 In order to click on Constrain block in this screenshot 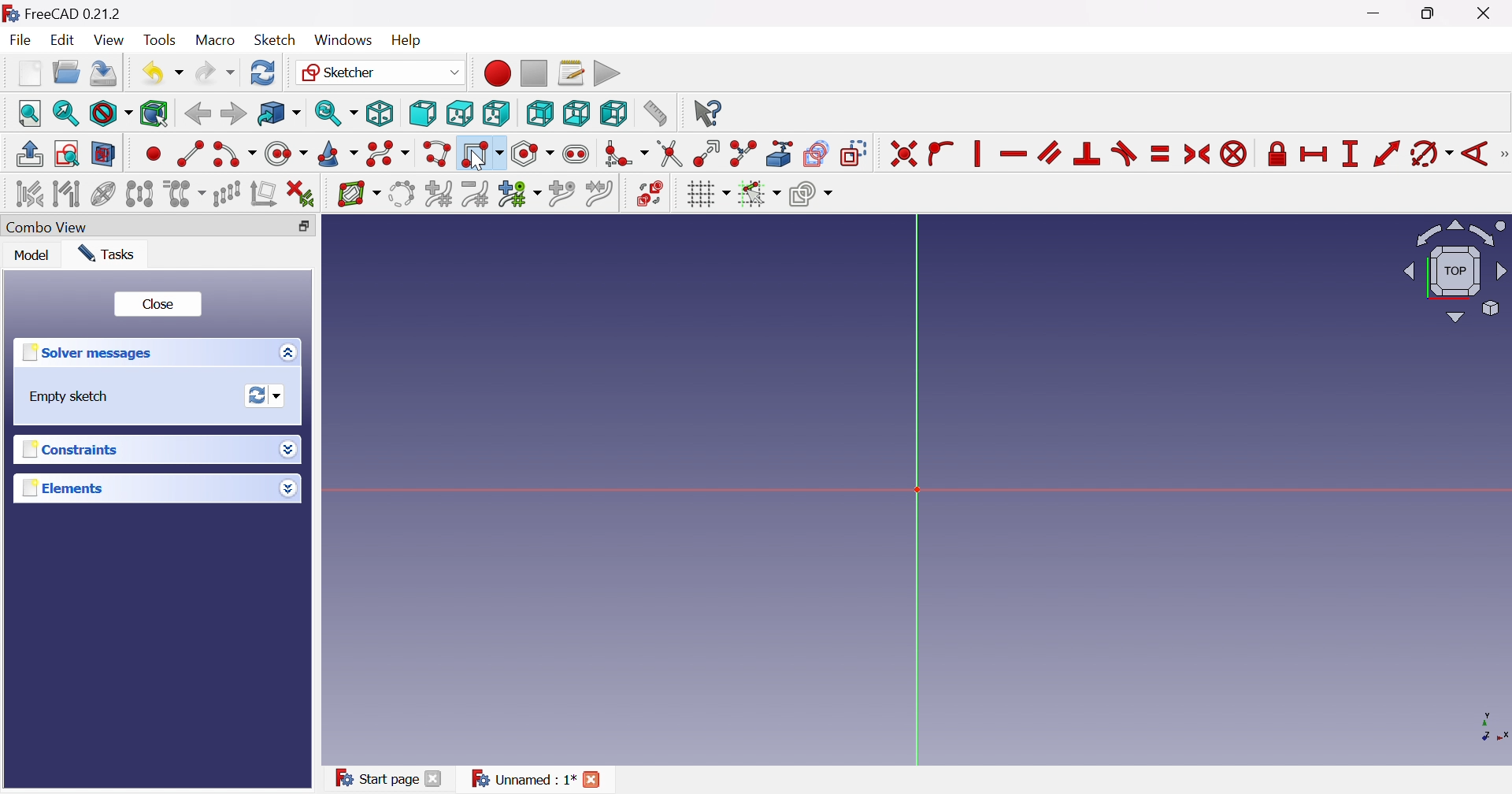, I will do `click(1234, 155)`.